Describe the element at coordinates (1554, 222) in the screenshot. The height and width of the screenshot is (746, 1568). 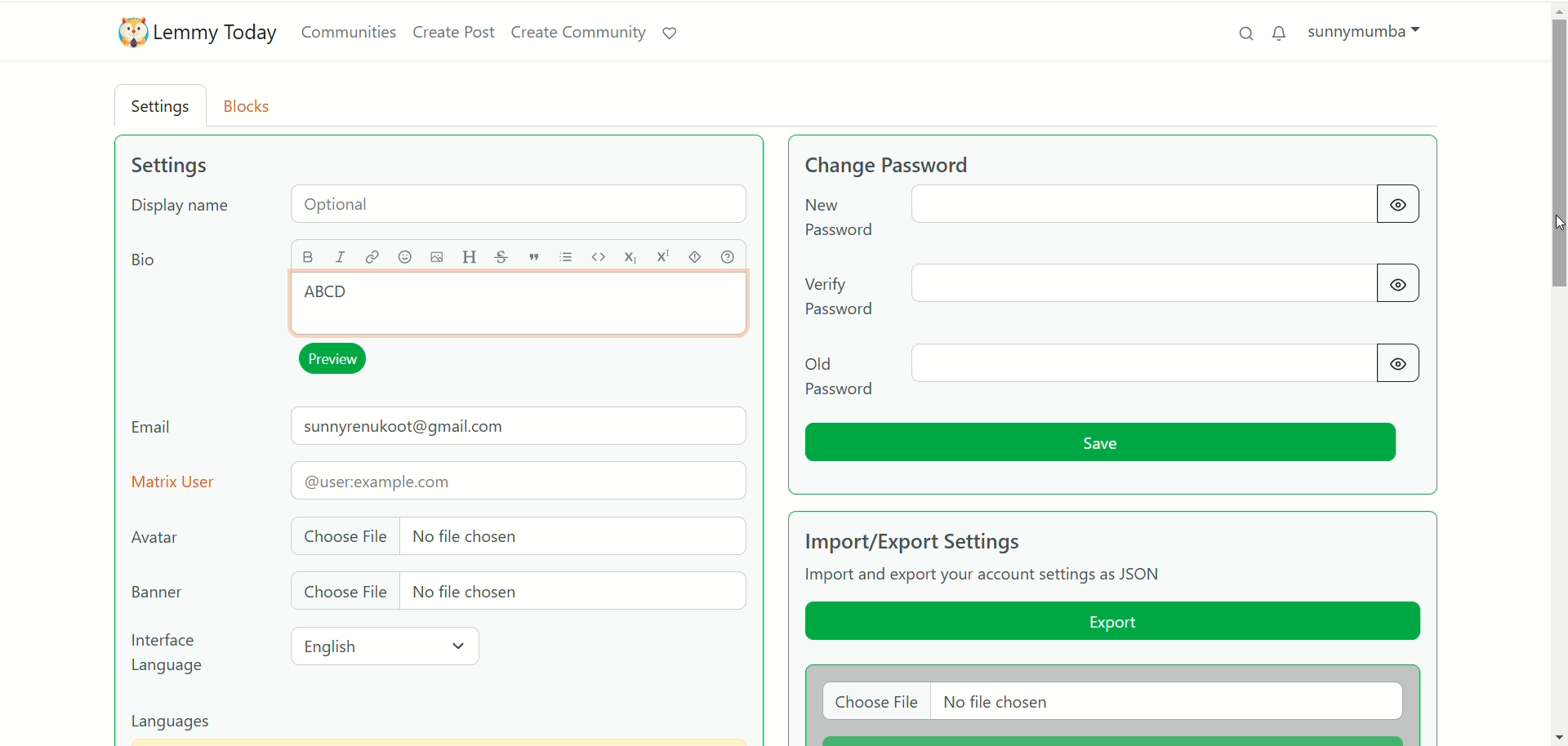
I see `cursor` at that location.